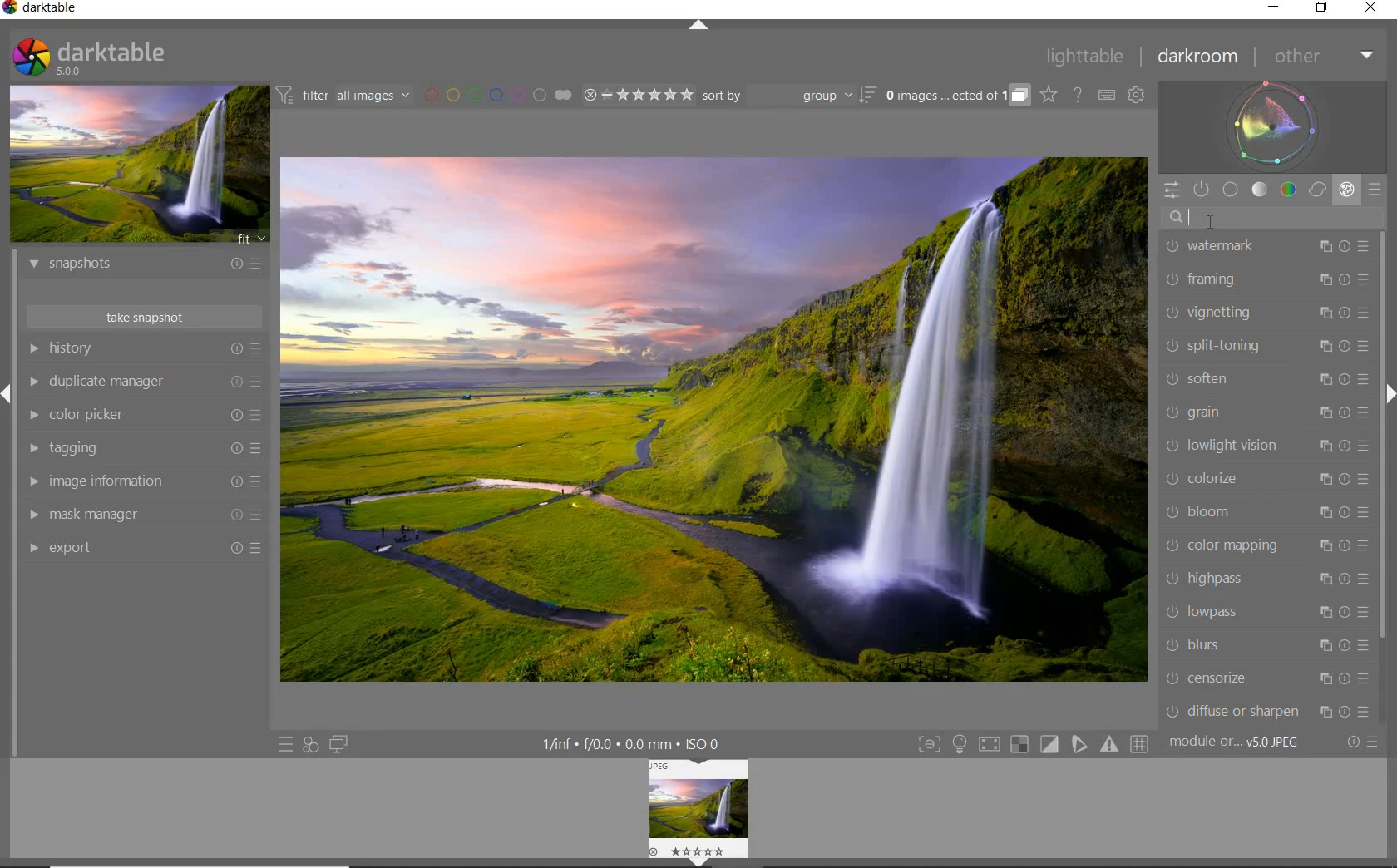 The image size is (1397, 868). Describe the element at coordinates (146, 550) in the screenshot. I see `export` at that location.